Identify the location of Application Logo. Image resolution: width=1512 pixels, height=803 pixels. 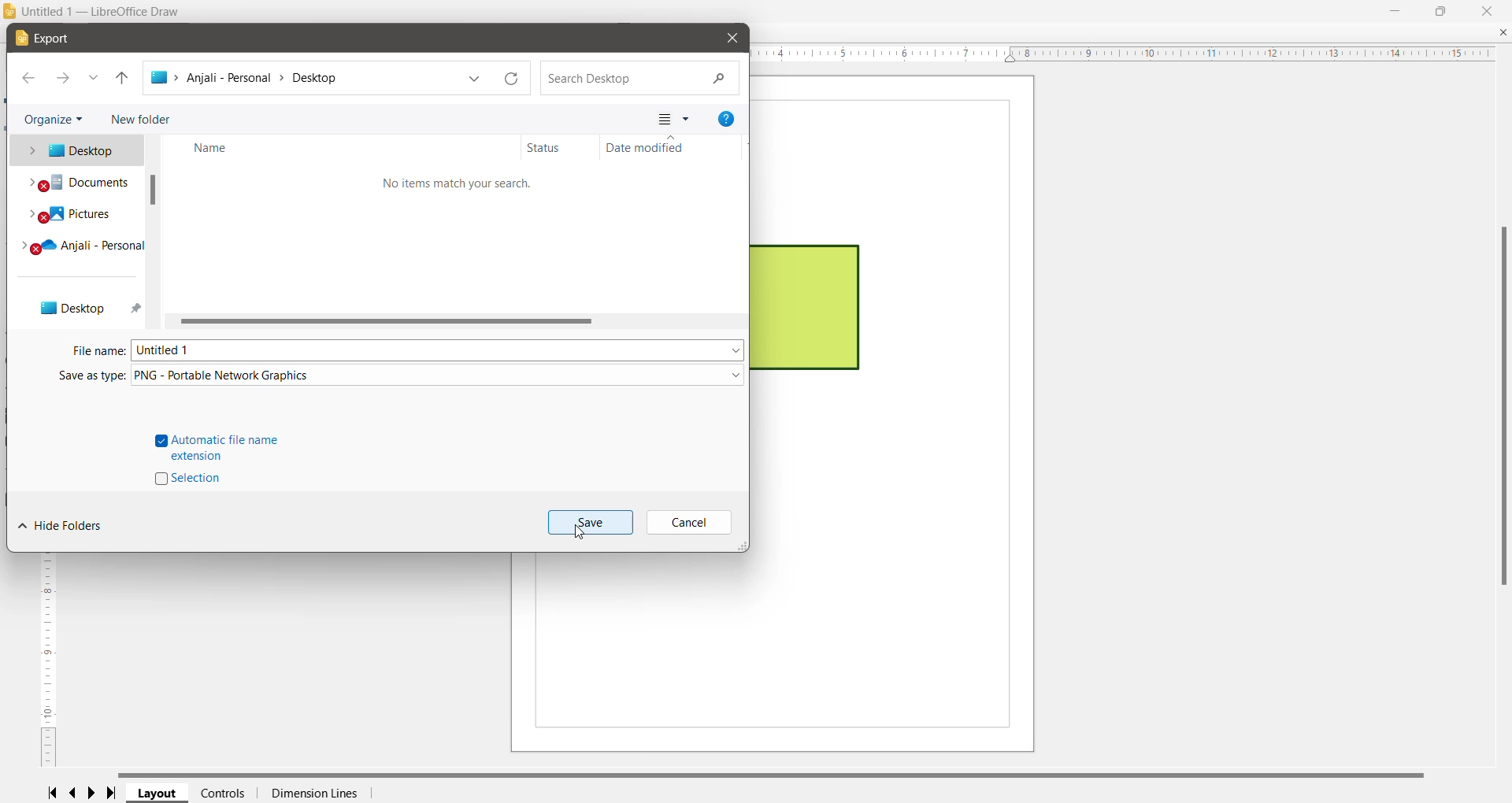
(10, 13).